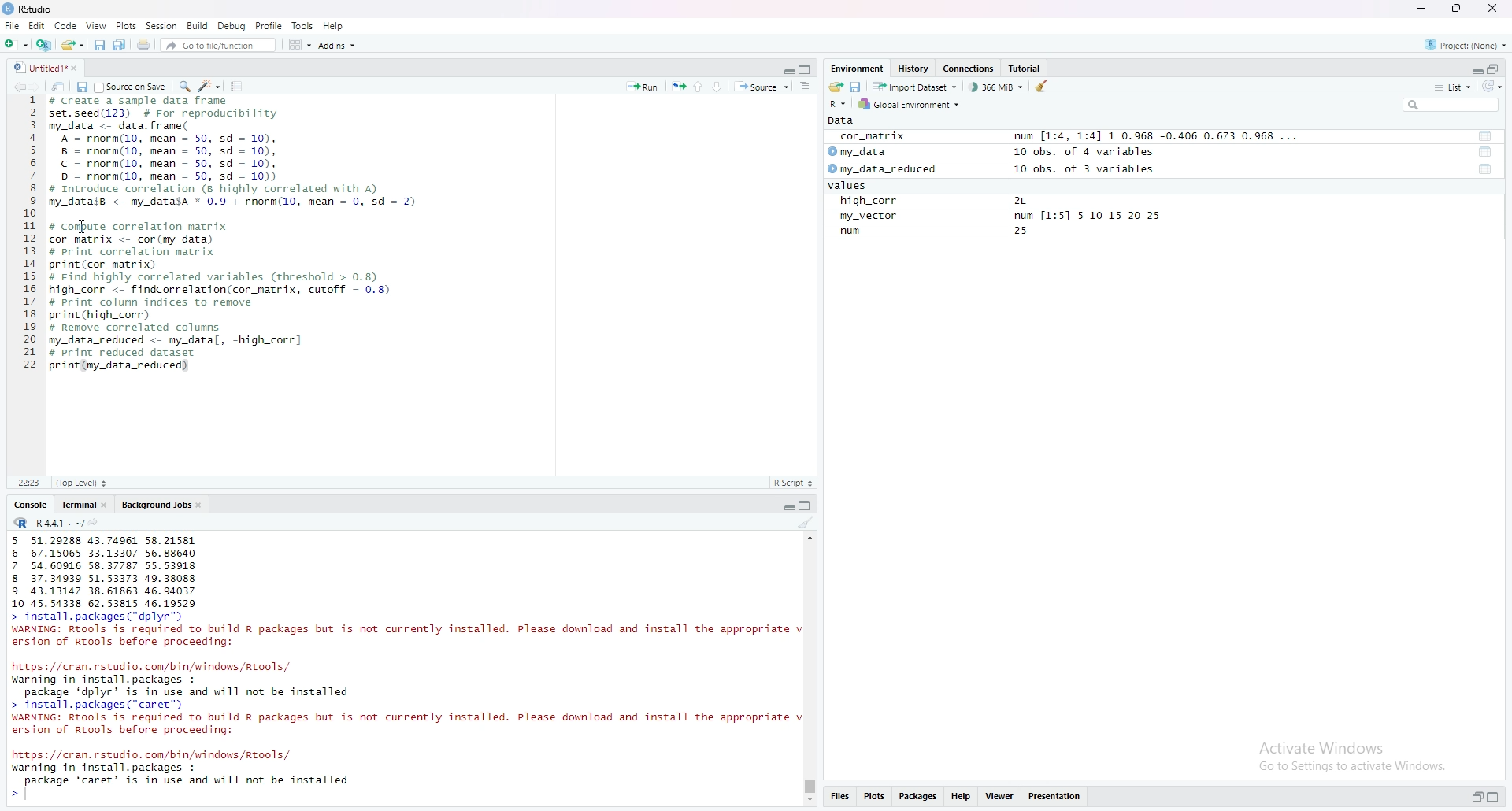 The height and width of the screenshot is (811, 1512). I want to click on cor_matrix num [1:4, 1:4] 1 0.968 -0.406 0.673 0.968 ..., so click(1074, 136).